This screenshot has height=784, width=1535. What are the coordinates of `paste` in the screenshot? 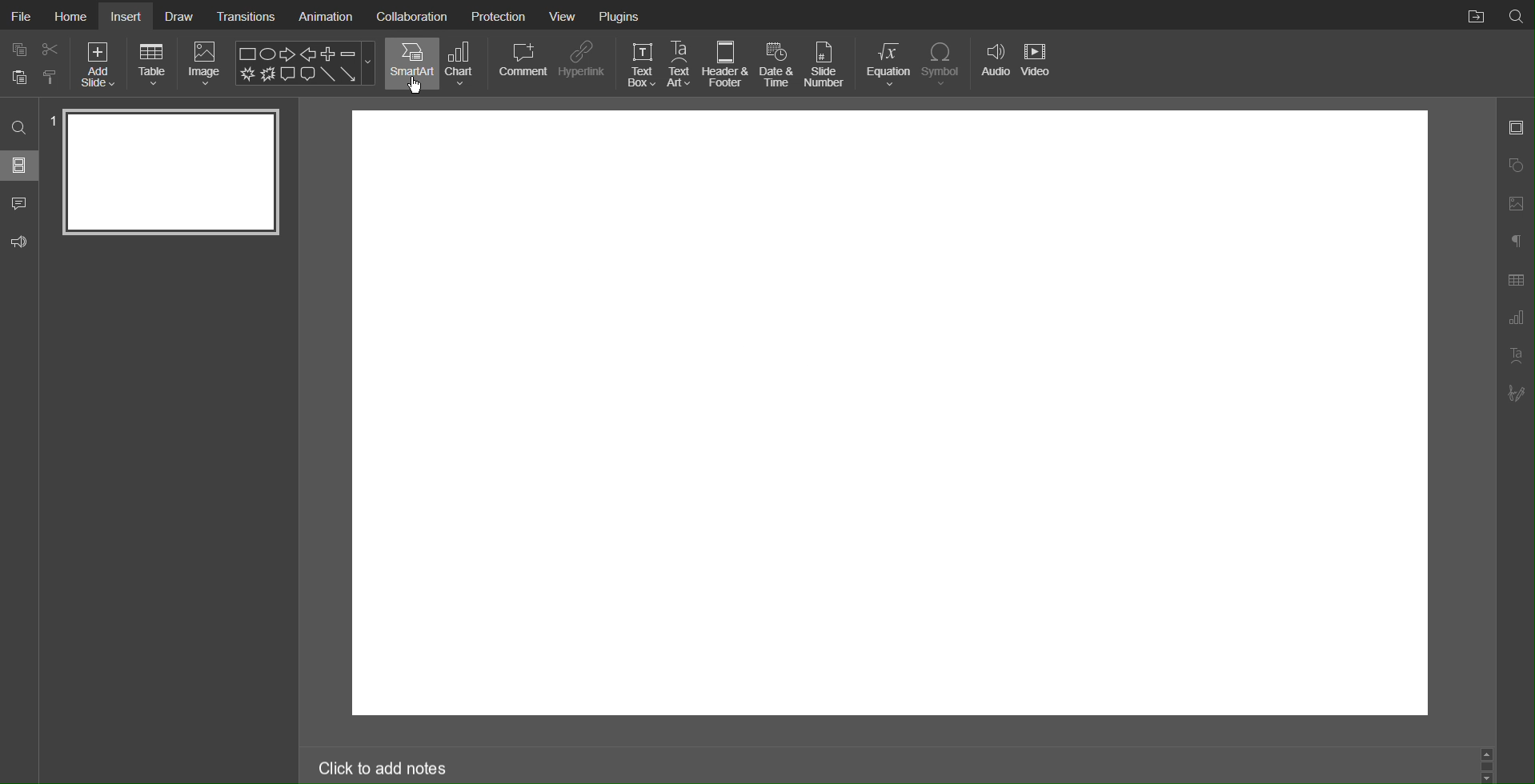 It's located at (18, 78).